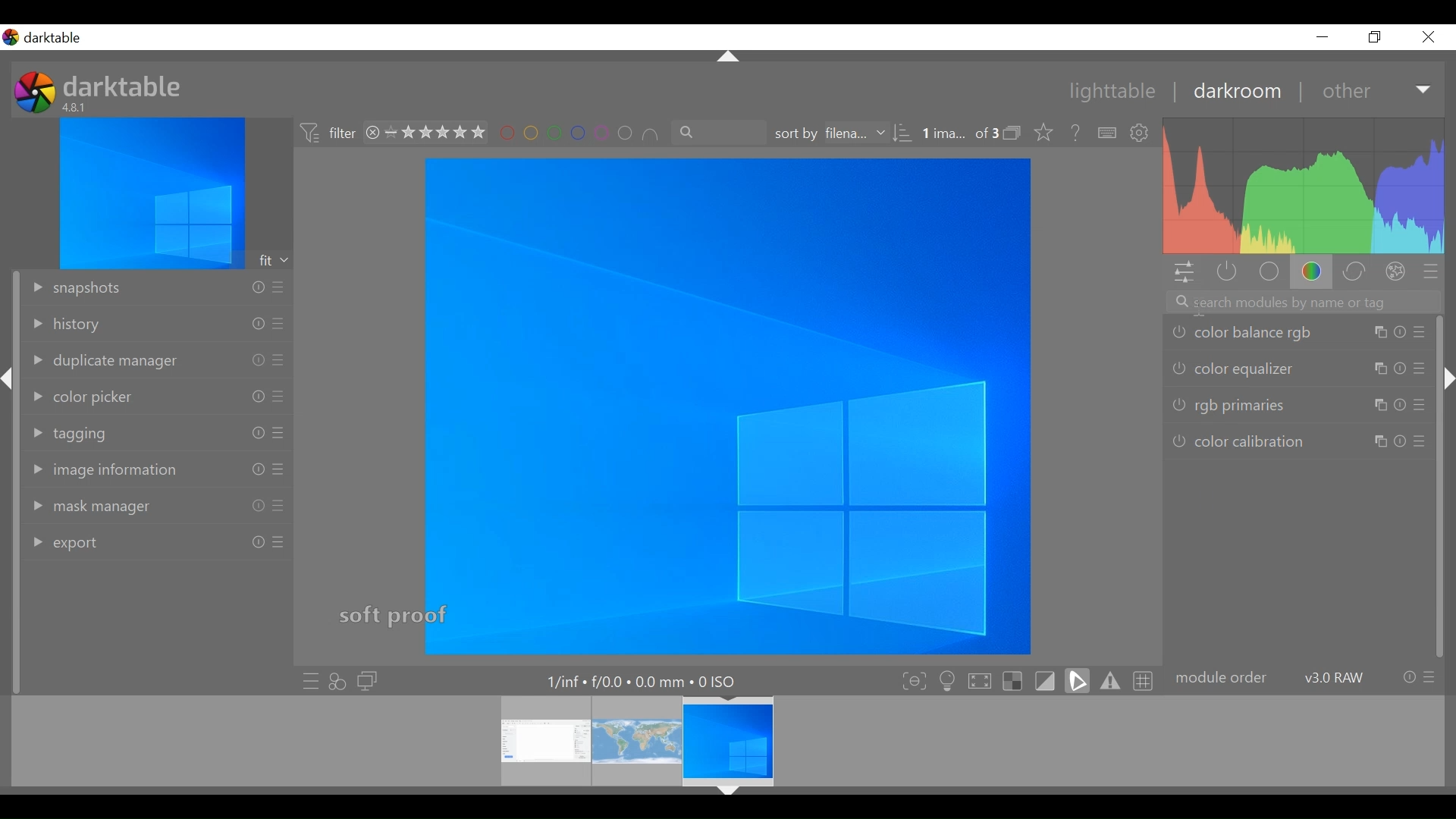 This screenshot has width=1456, height=819. I want to click on , so click(1381, 442).